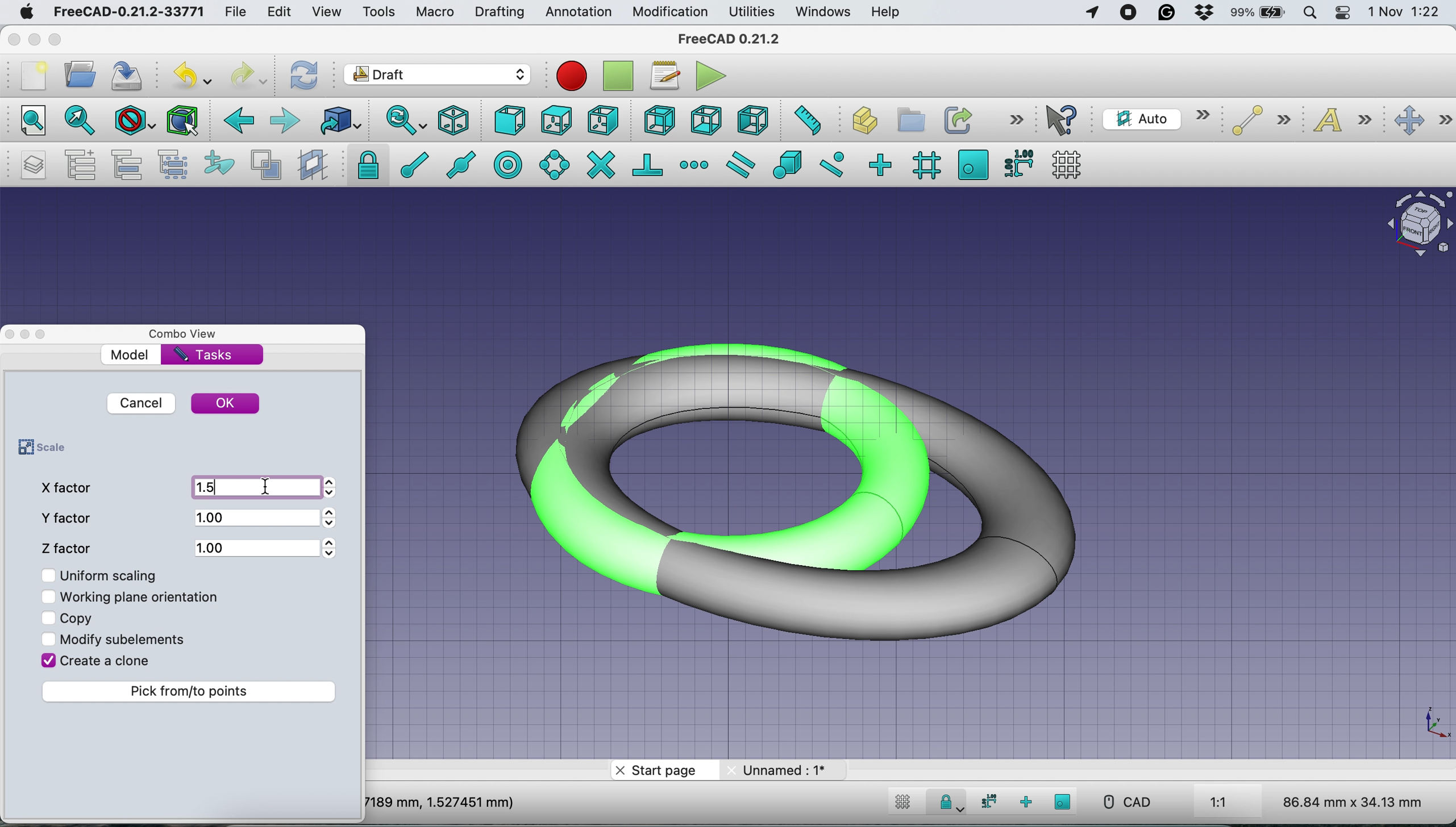  Describe the element at coordinates (750, 118) in the screenshot. I see `left` at that location.